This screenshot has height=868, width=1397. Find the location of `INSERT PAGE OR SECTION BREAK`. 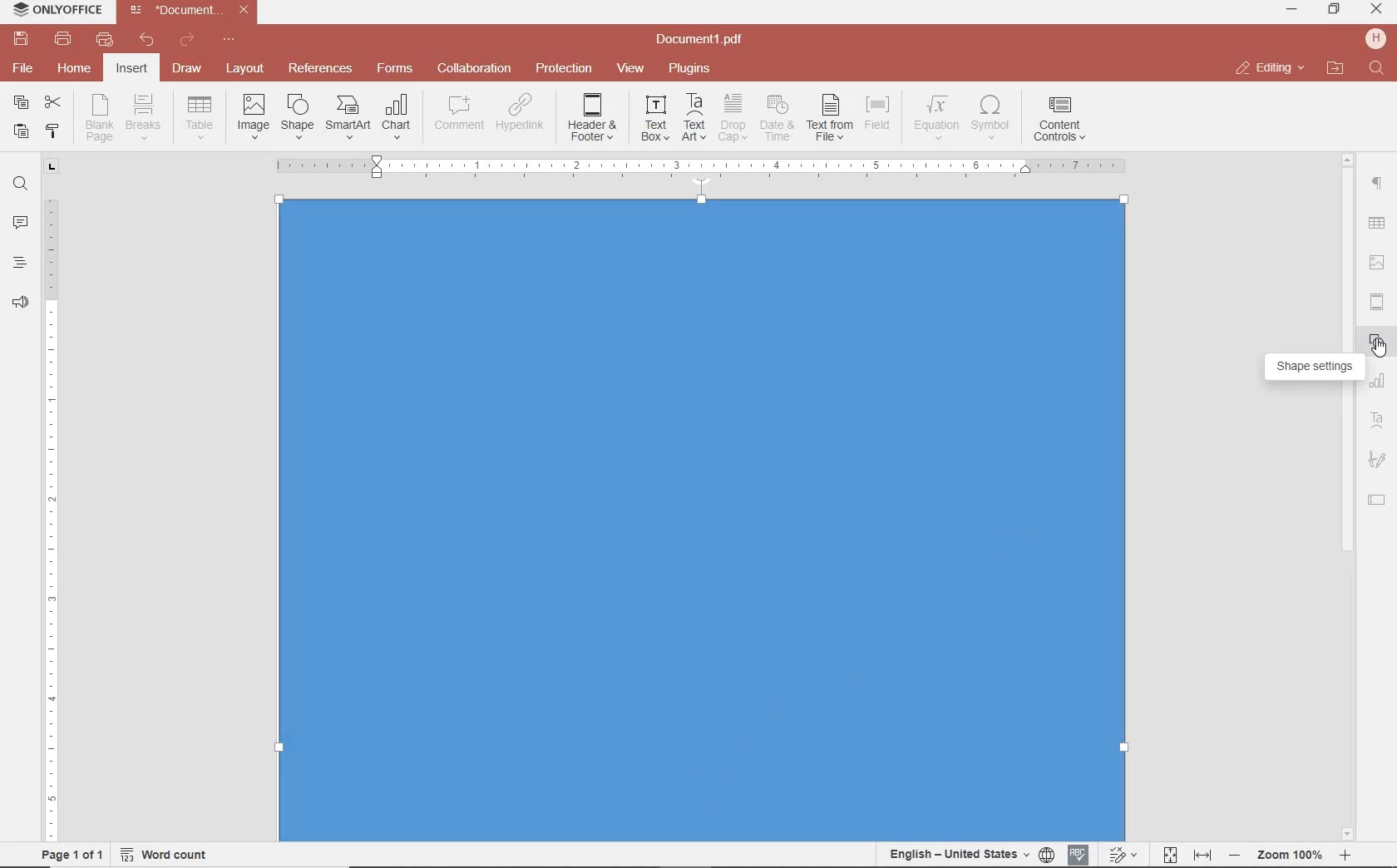

INSERT PAGE OR SECTION BREAK is located at coordinates (143, 118).